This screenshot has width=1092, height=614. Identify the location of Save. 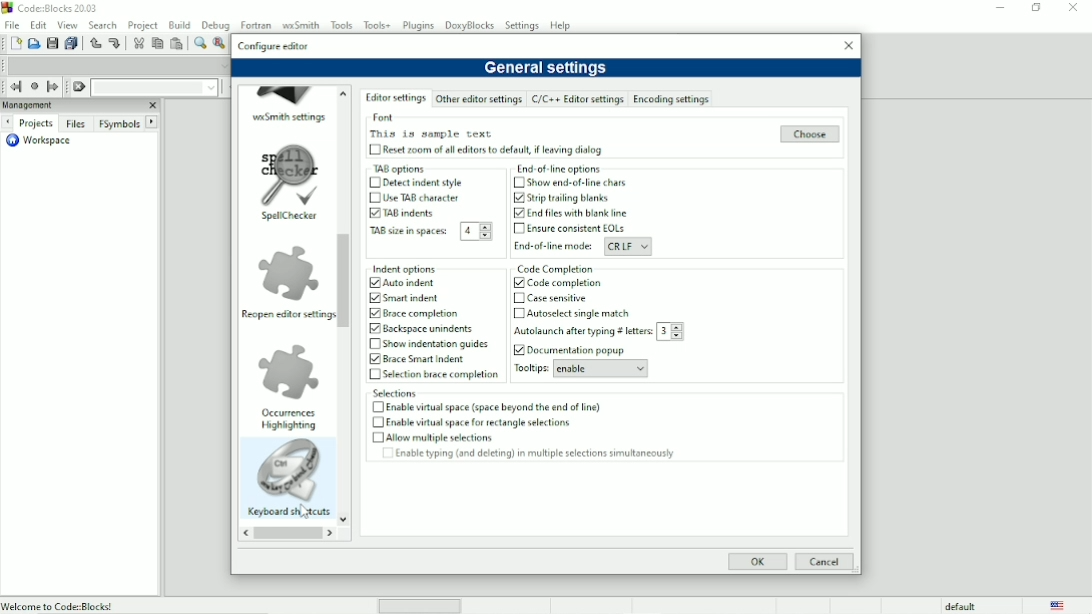
(51, 43).